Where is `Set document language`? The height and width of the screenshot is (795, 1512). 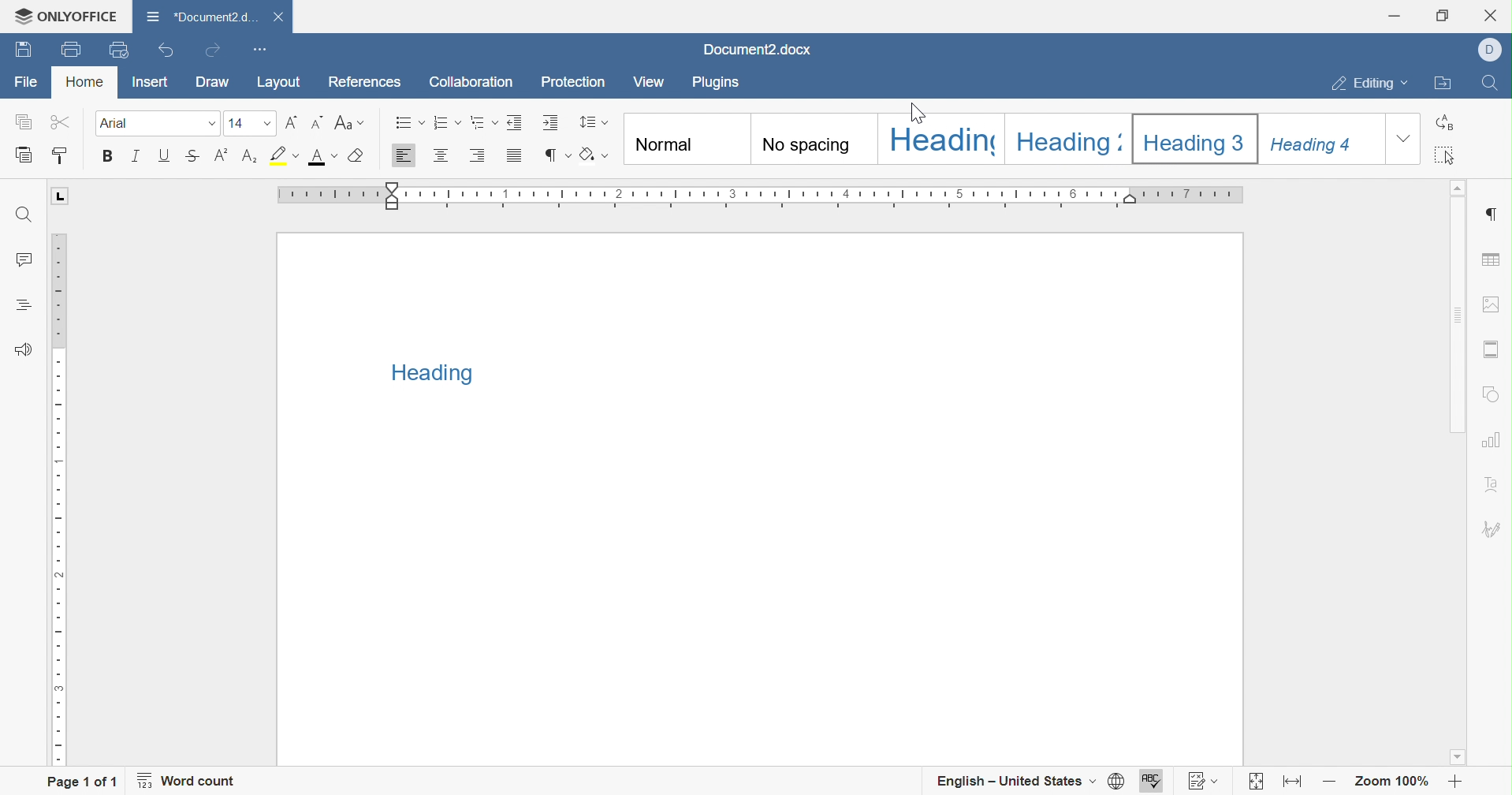 Set document language is located at coordinates (1115, 780).